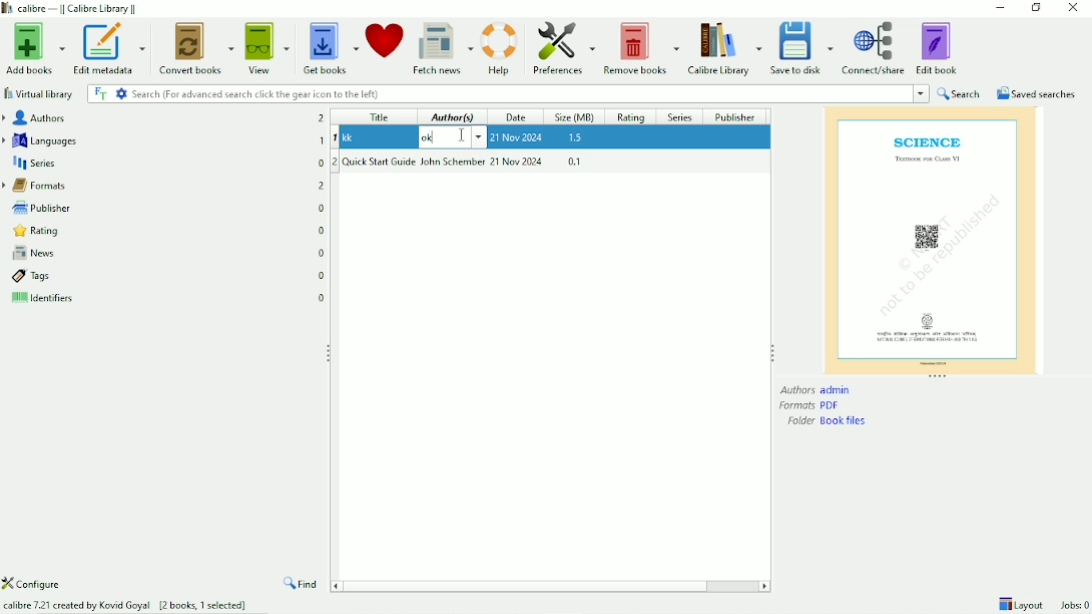 The height and width of the screenshot is (614, 1092). Describe the element at coordinates (1073, 8) in the screenshot. I see `Close` at that location.